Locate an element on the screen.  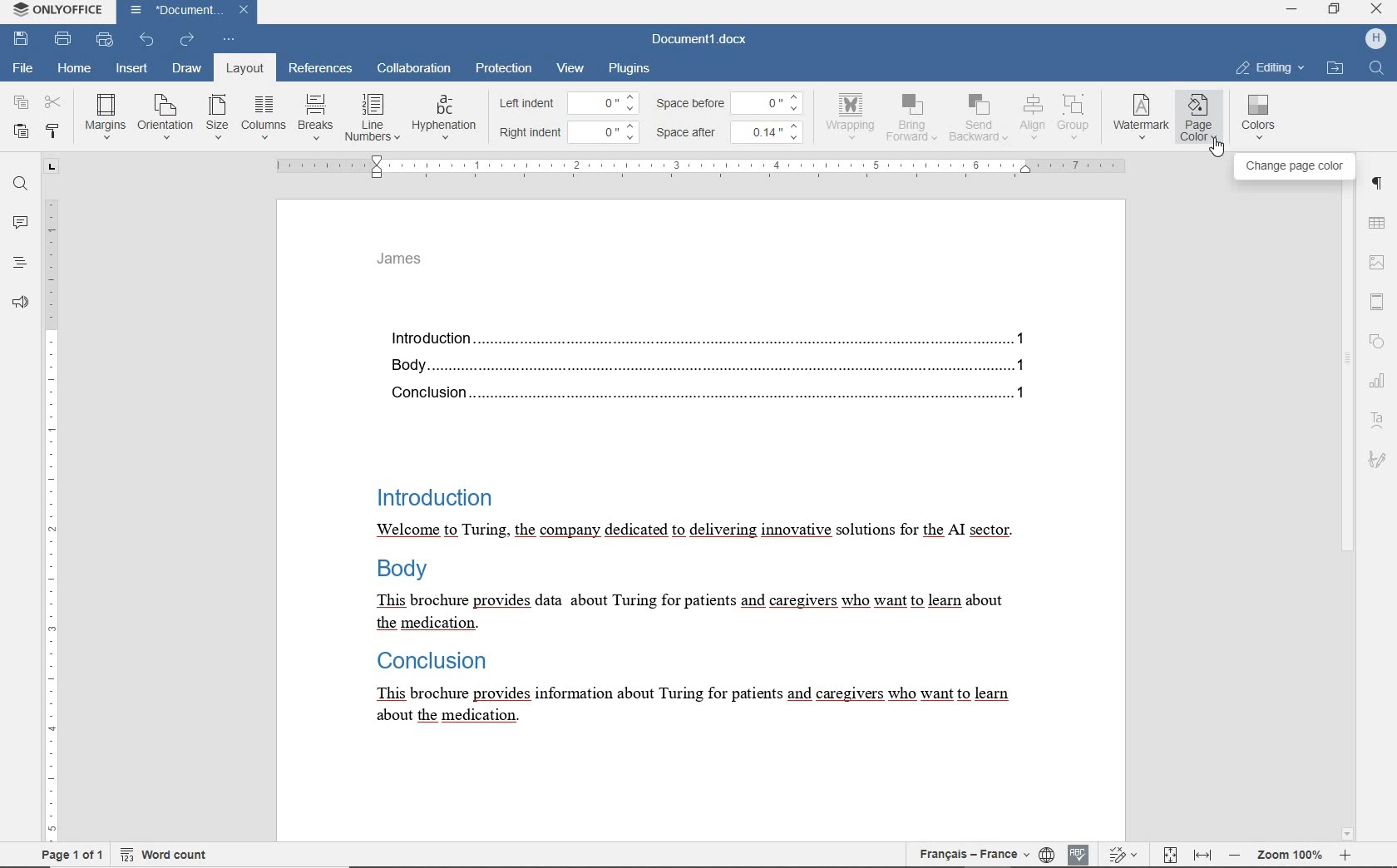
headings is located at coordinates (17, 263).